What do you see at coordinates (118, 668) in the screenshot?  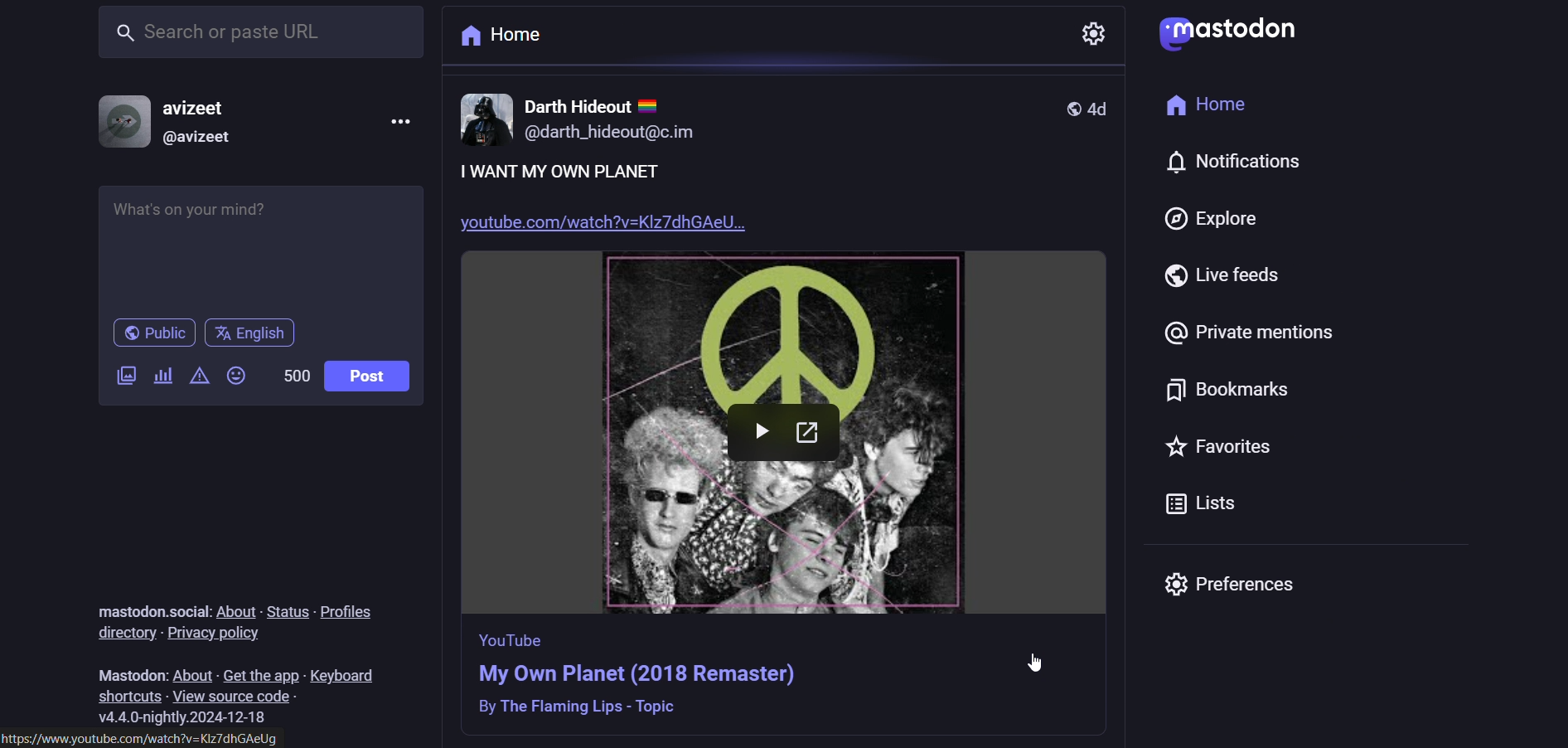 I see `text` at bounding box center [118, 668].